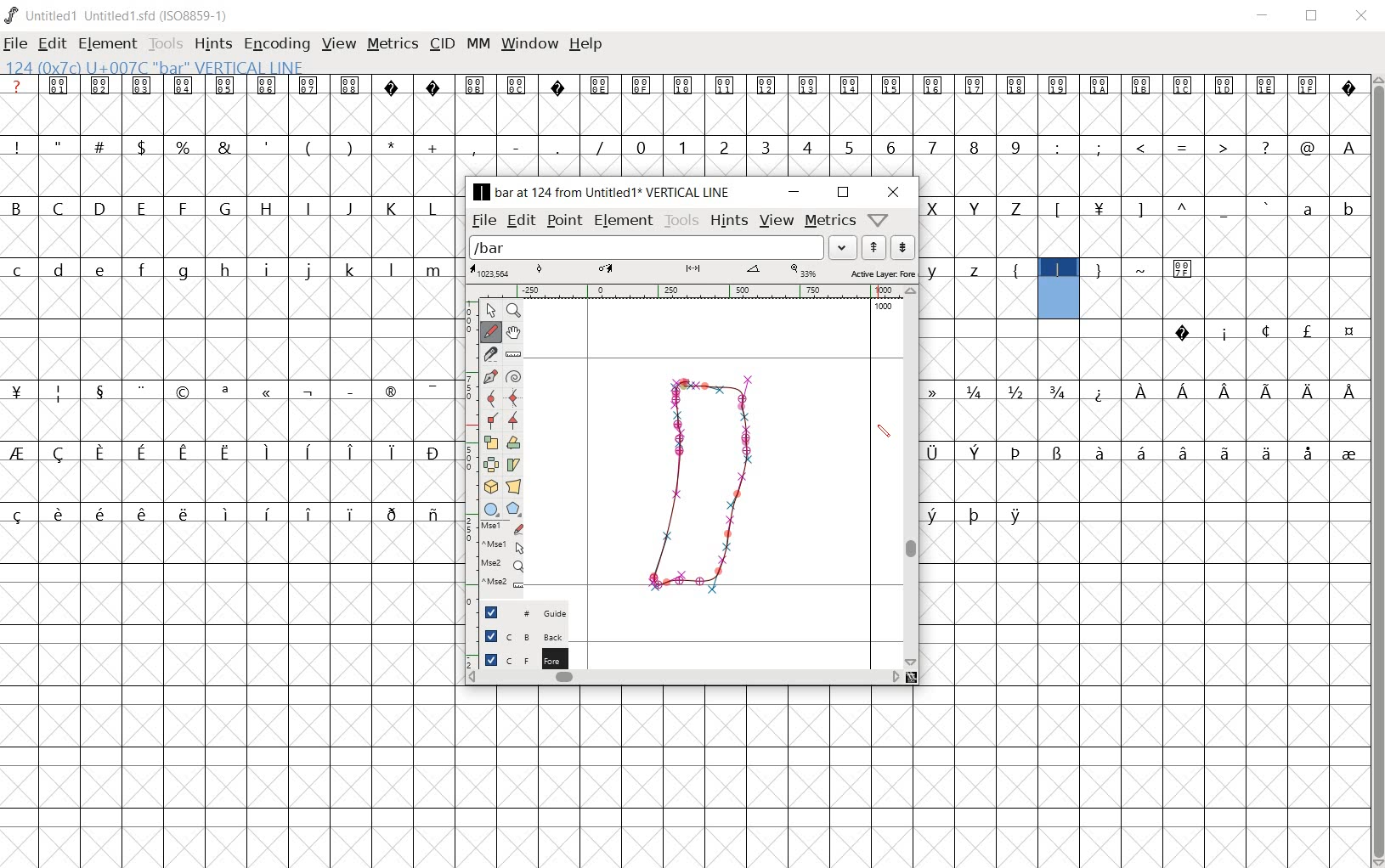 Image resolution: width=1385 pixels, height=868 pixels. I want to click on special letters, so click(1144, 451).